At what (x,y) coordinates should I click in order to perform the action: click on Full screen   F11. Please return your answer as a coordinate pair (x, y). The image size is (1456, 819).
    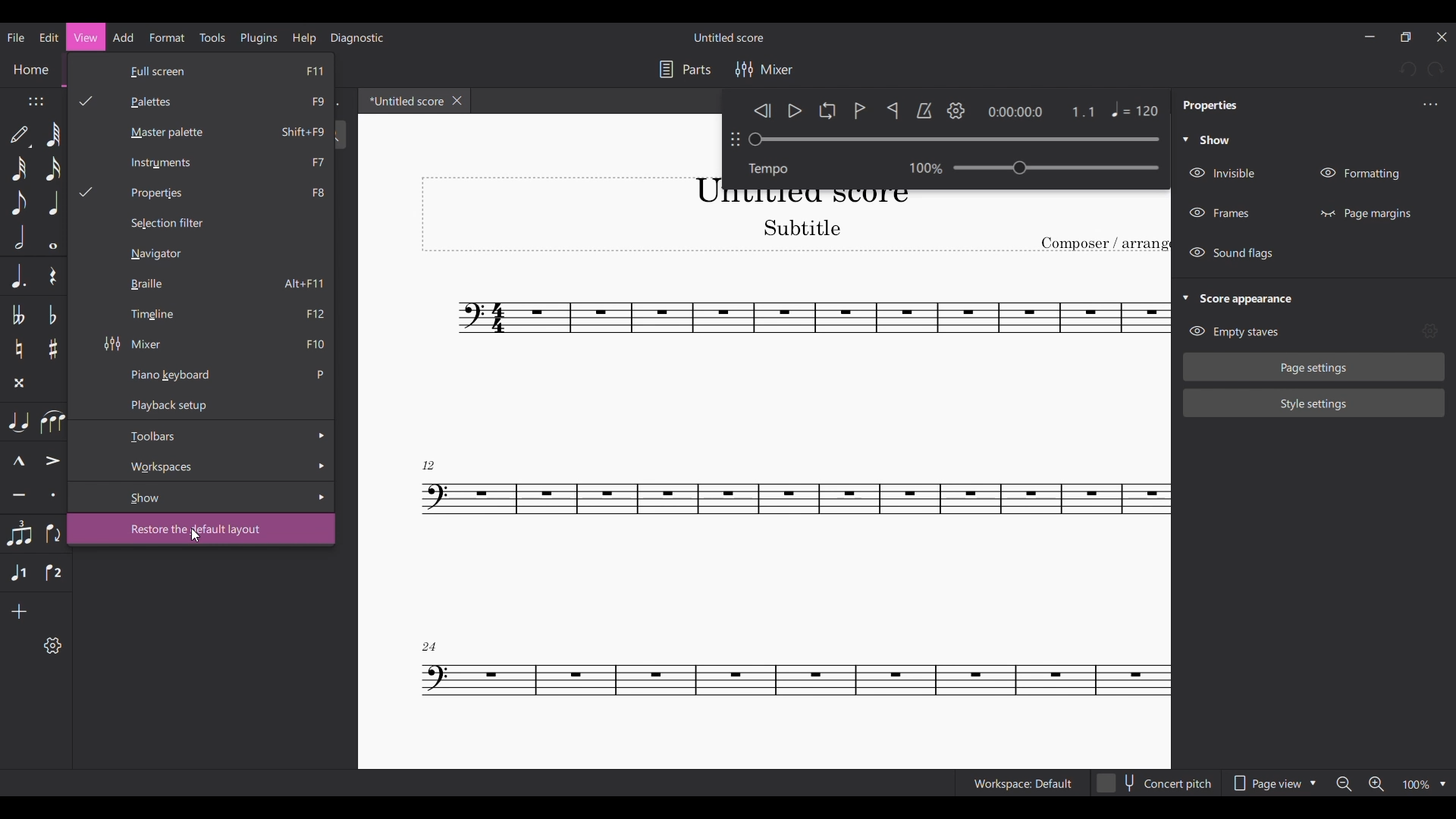
    Looking at the image, I should click on (232, 73).